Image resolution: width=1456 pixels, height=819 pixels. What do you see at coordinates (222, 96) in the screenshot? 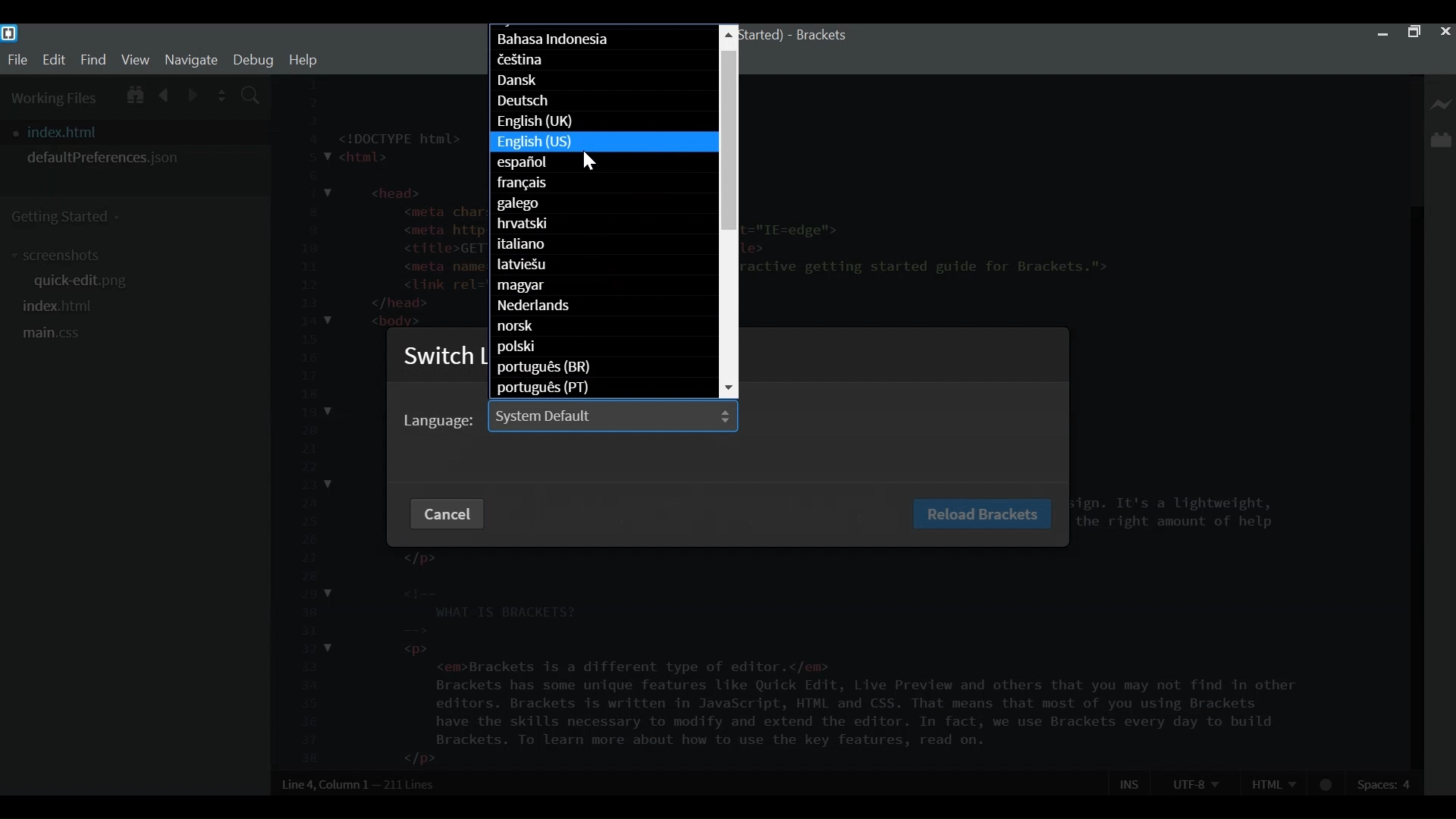
I see `Split the File Vertically or Horizontally` at bounding box center [222, 96].